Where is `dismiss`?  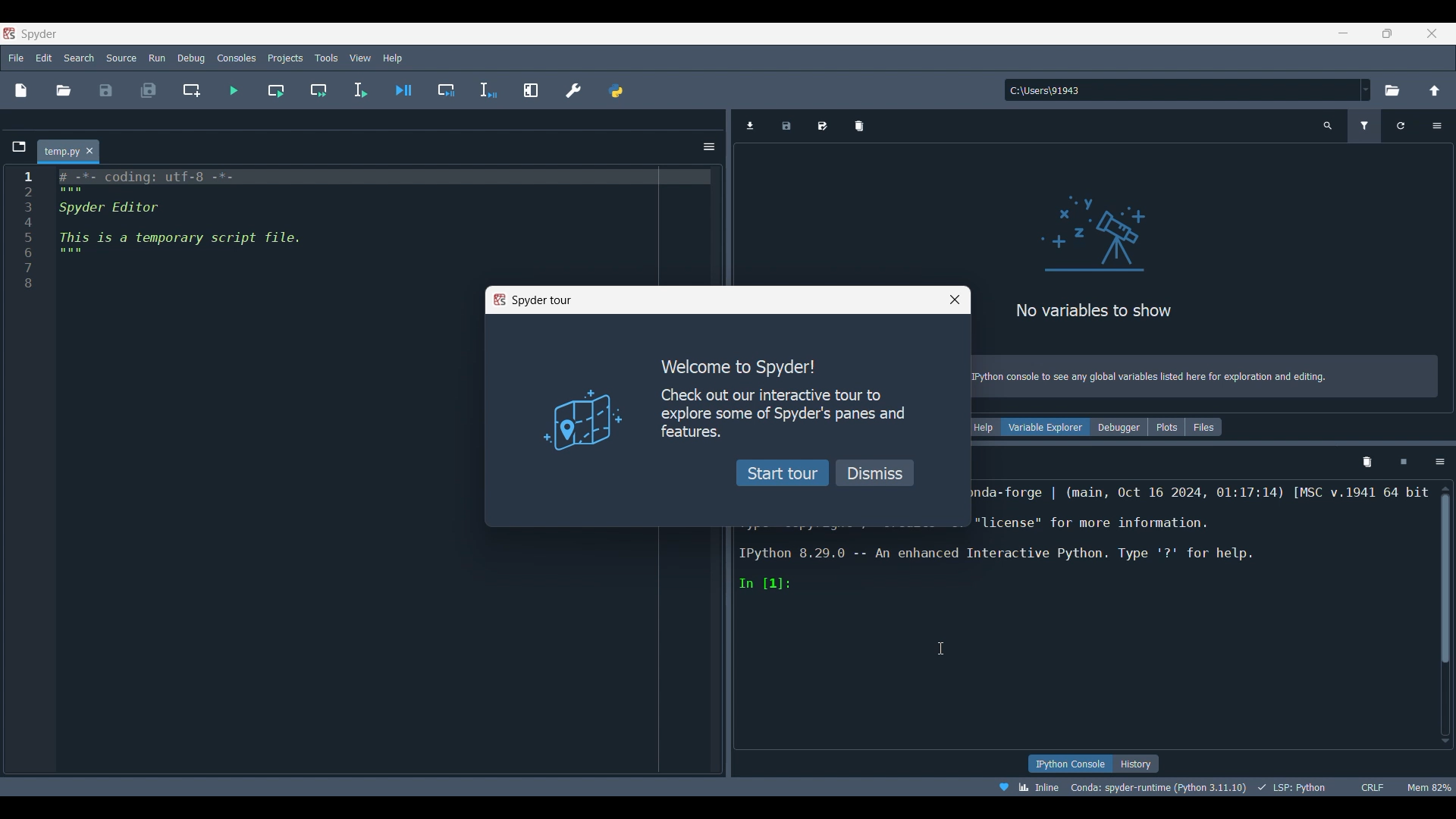 dismiss is located at coordinates (877, 472).